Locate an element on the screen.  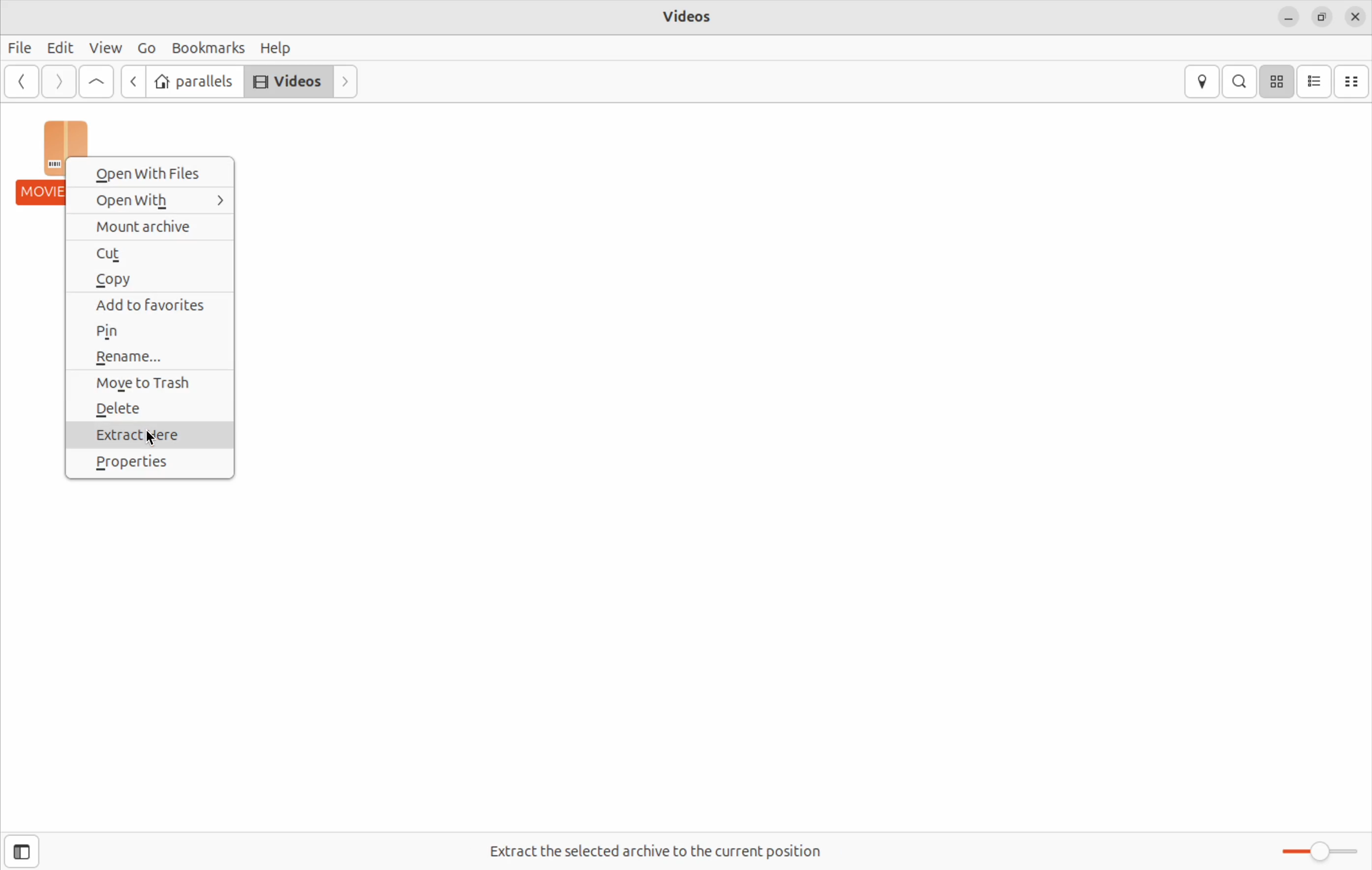
Go up is located at coordinates (97, 80).